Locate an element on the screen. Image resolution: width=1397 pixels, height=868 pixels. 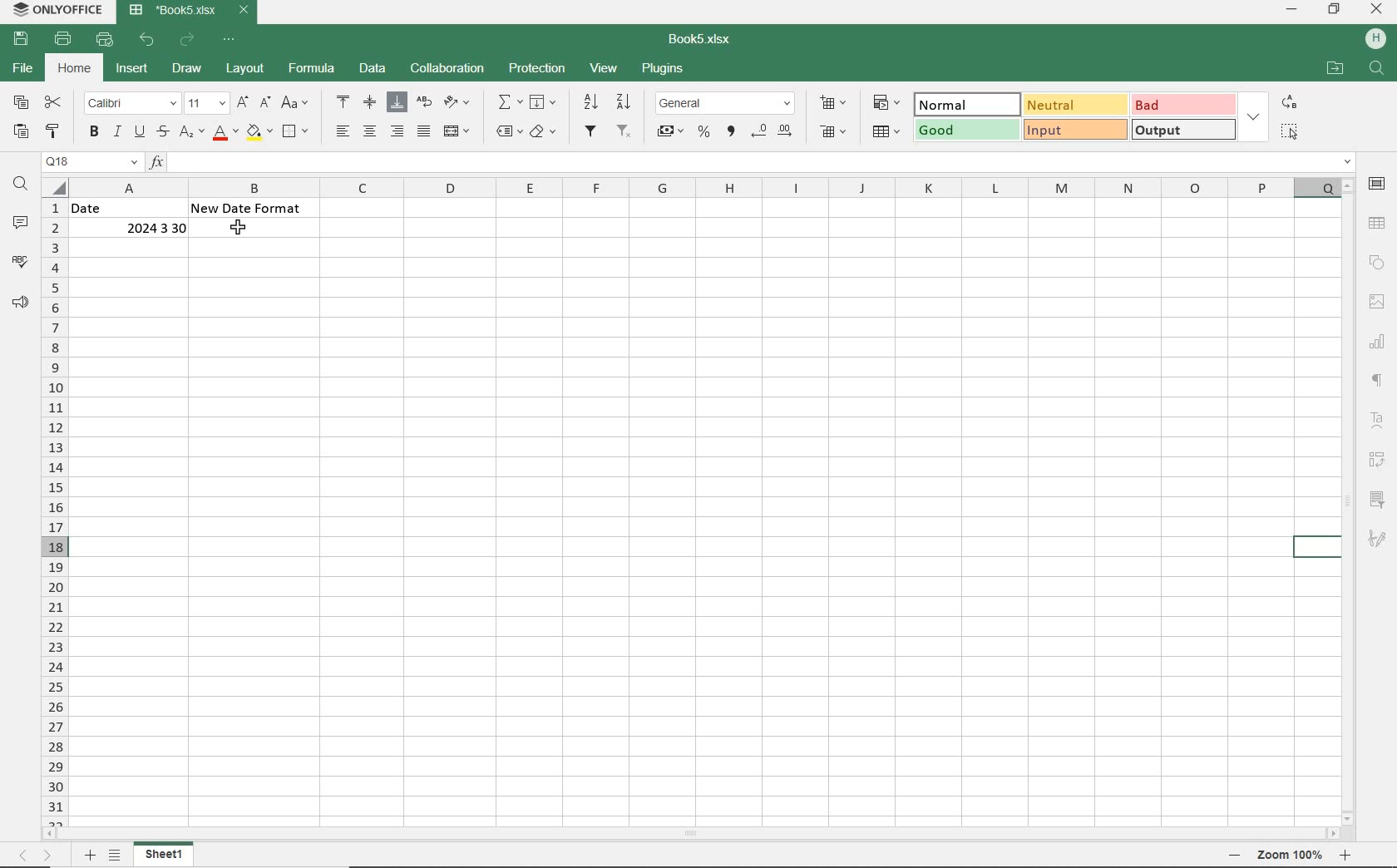
EXPAND is located at coordinates (1254, 119).